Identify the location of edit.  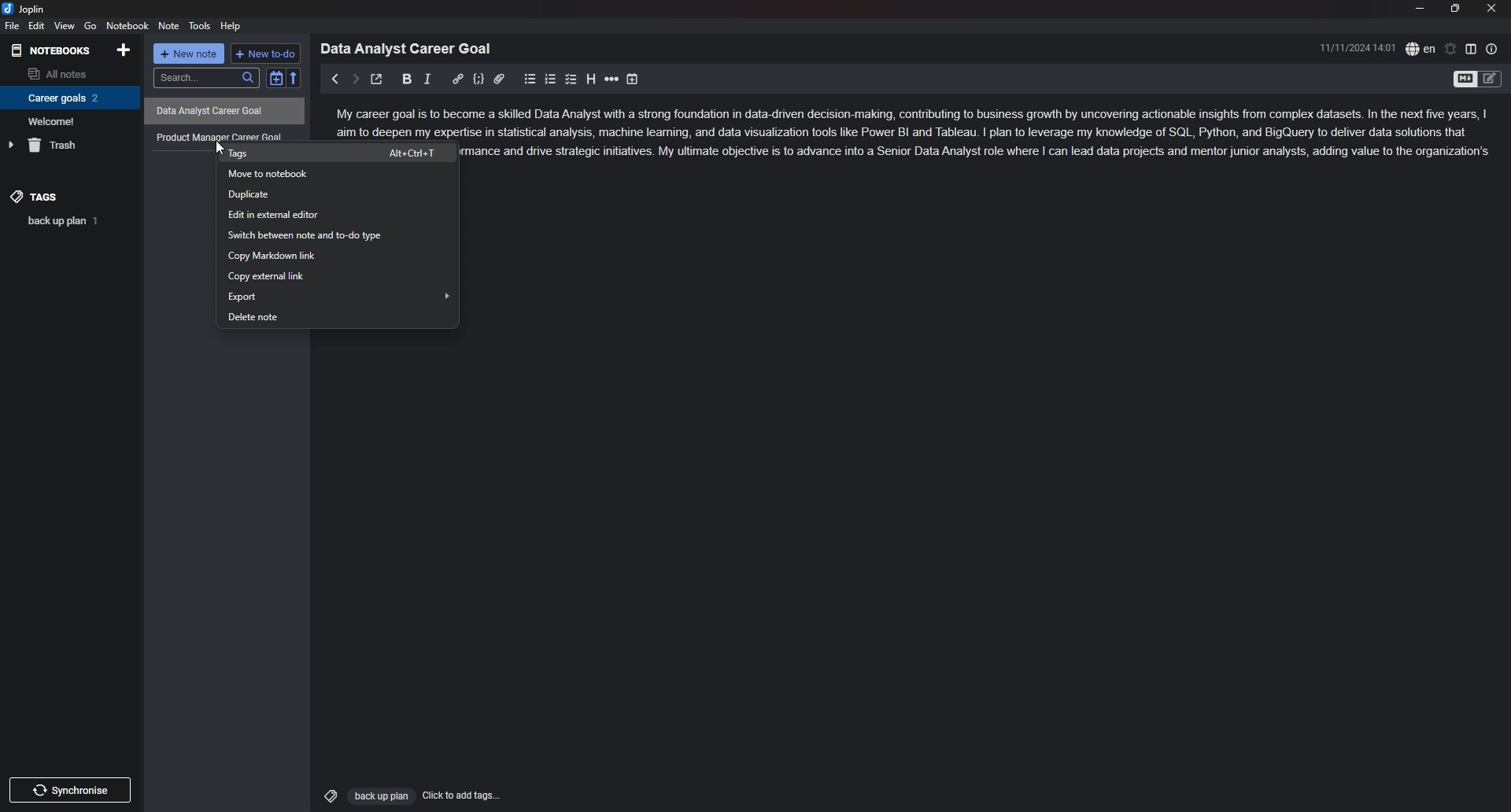
(38, 25).